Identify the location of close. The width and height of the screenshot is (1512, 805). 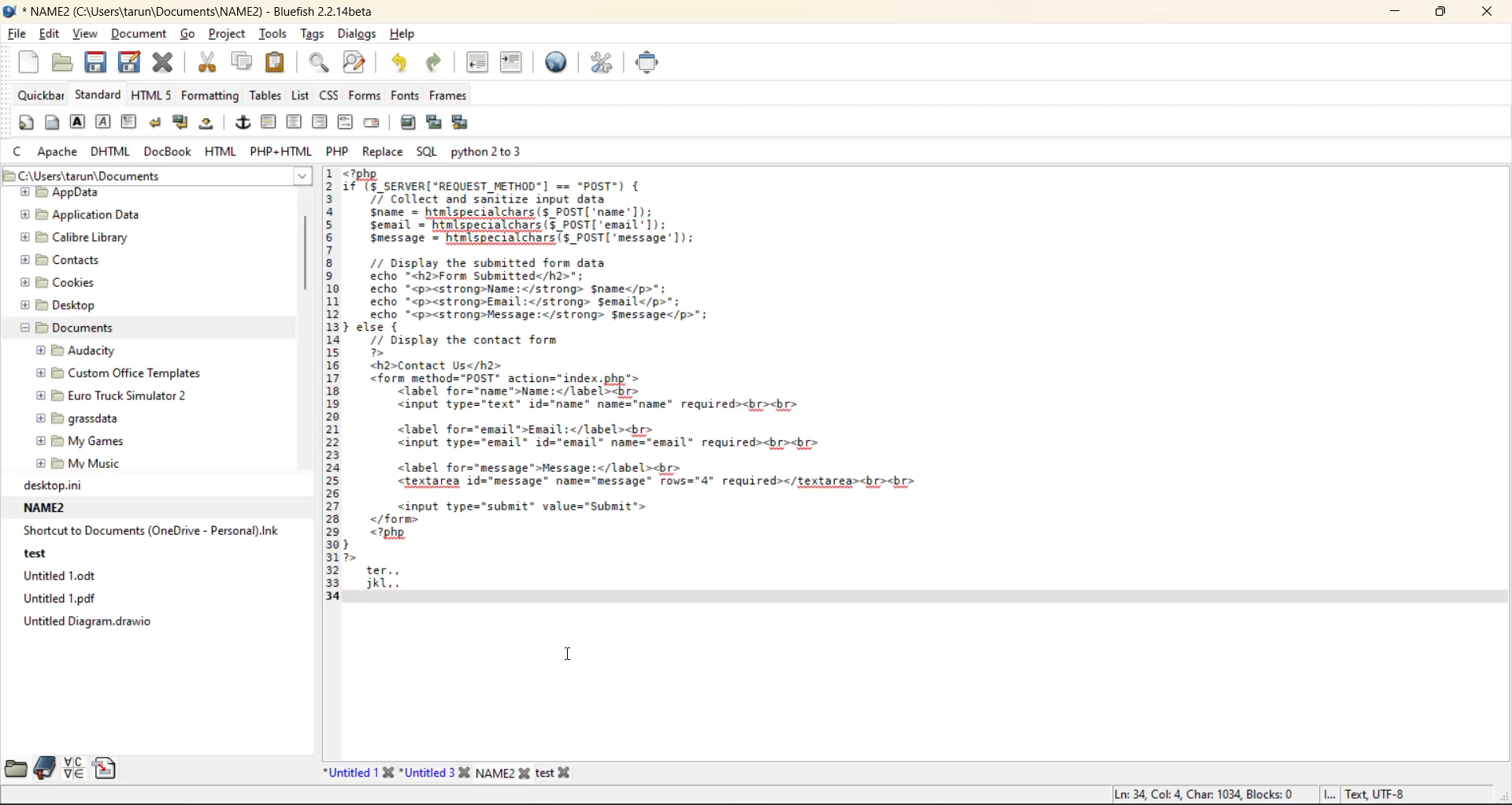
(1481, 12).